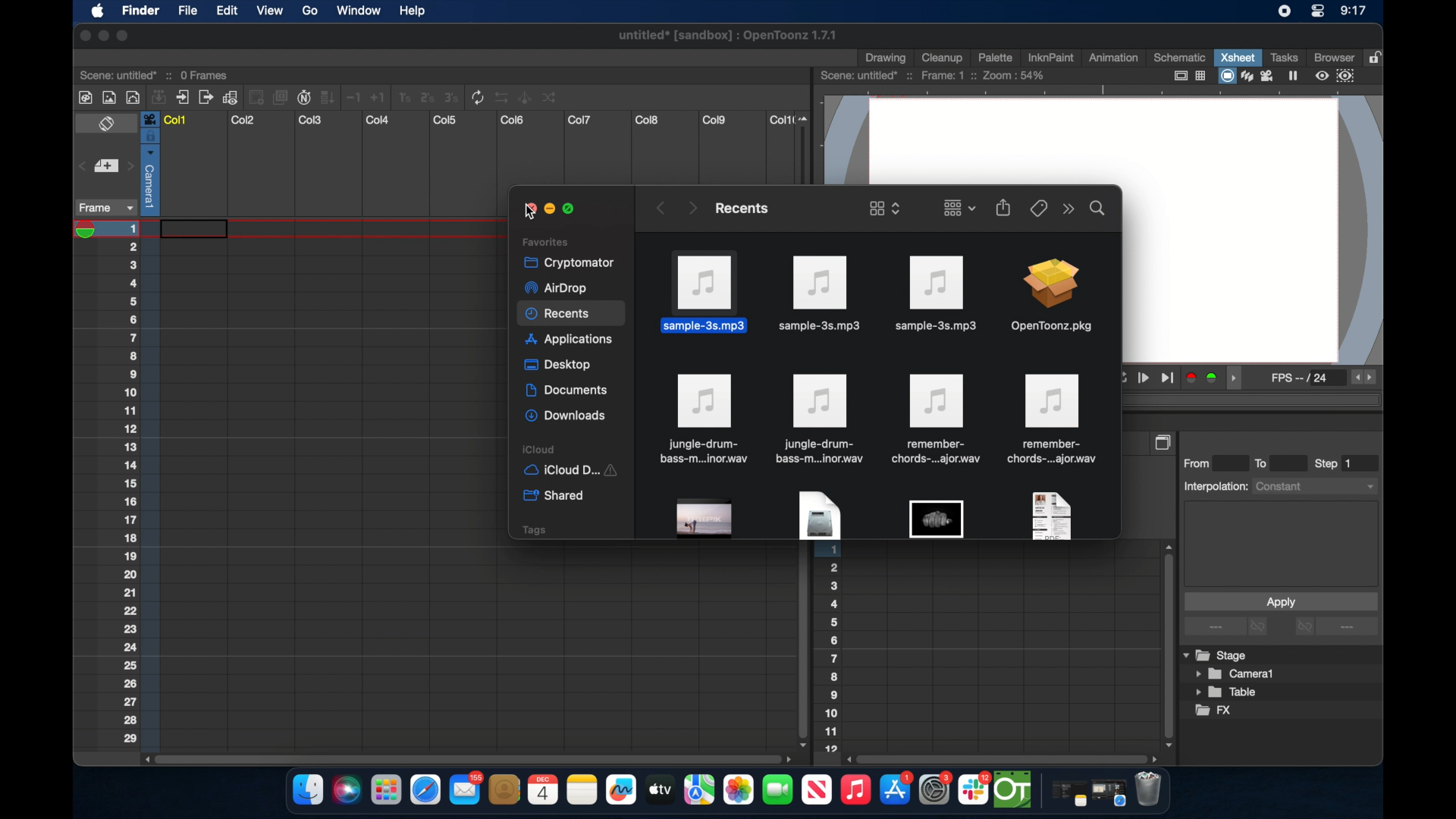  I want to click on shared, so click(556, 496).